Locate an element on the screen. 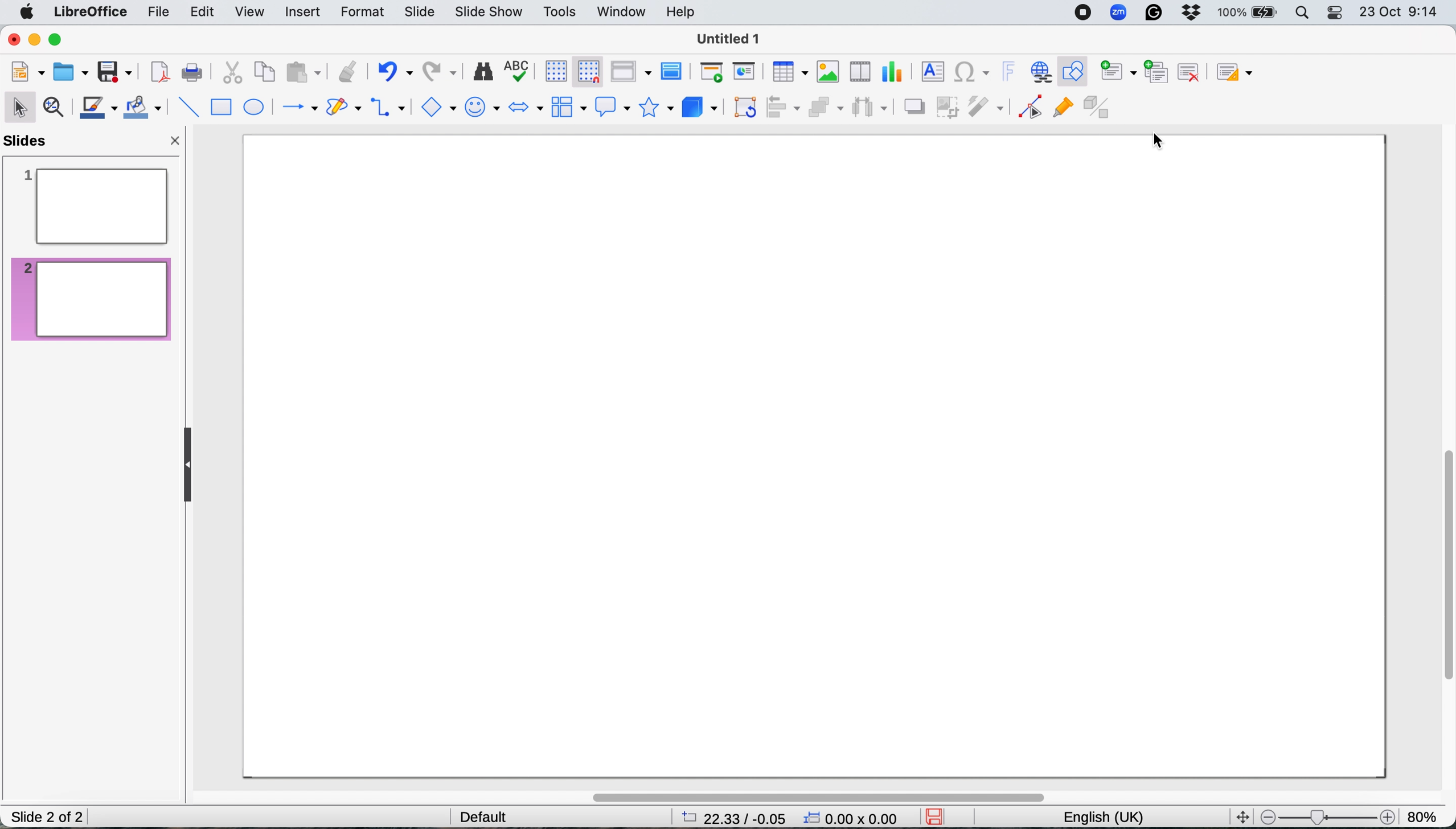 The height and width of the screenshot is (829, 1456). text color is located at coordinates (99, 108).